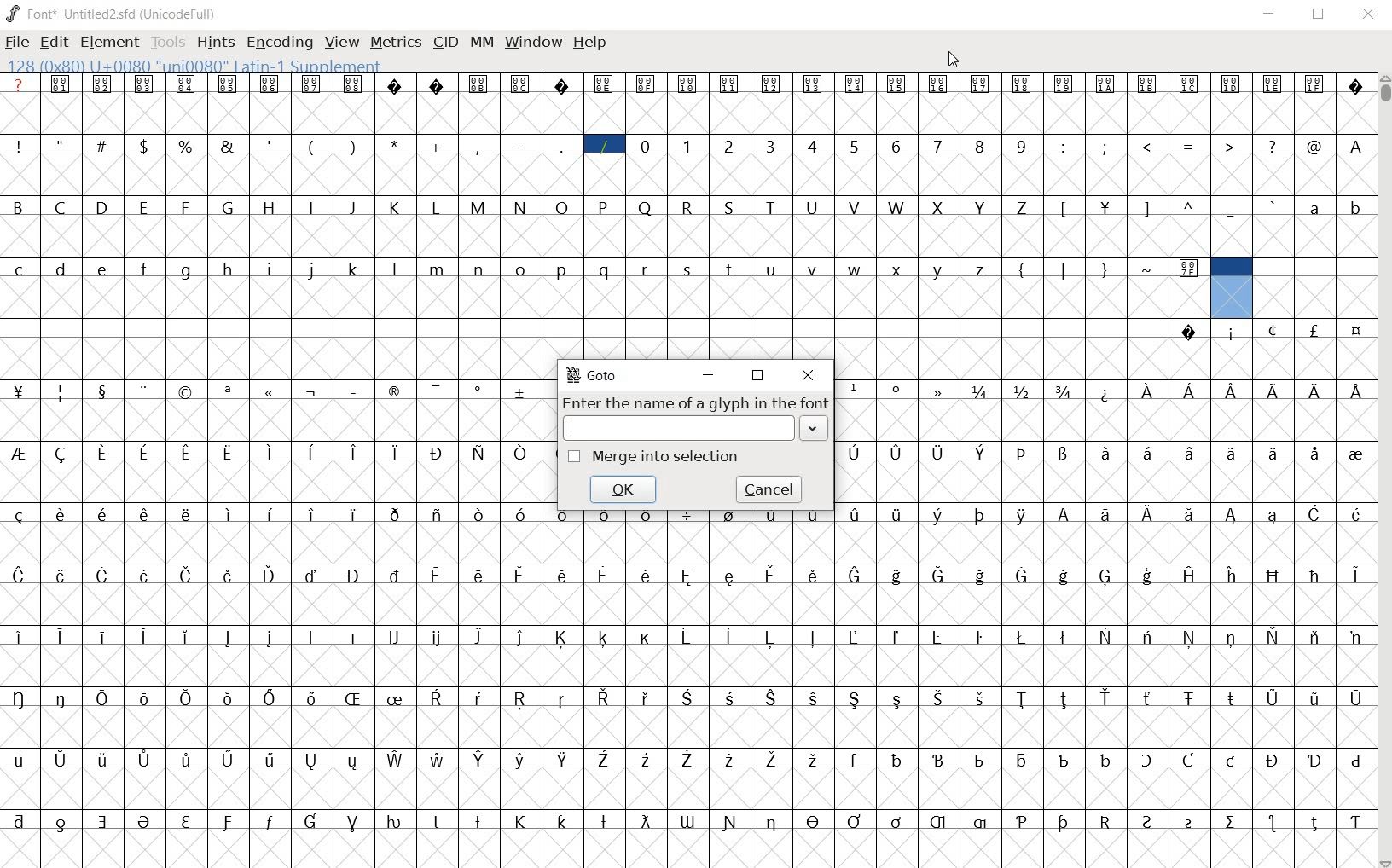 This screenshot has width=1392, height=868. I want to click on X, so click(940, 207).